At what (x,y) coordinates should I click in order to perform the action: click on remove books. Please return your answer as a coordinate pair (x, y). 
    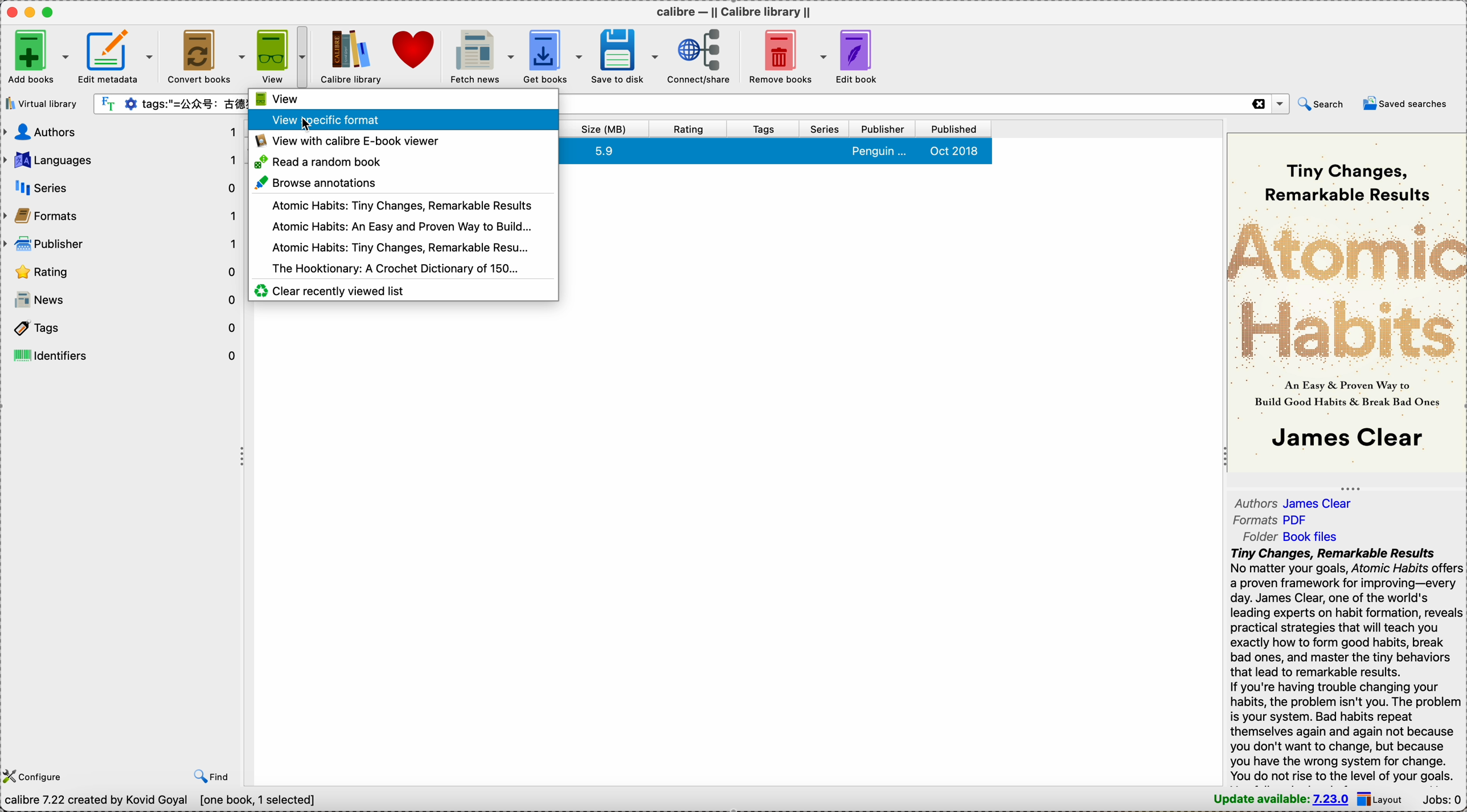
    Looking at the image, I should click on (784, 58).